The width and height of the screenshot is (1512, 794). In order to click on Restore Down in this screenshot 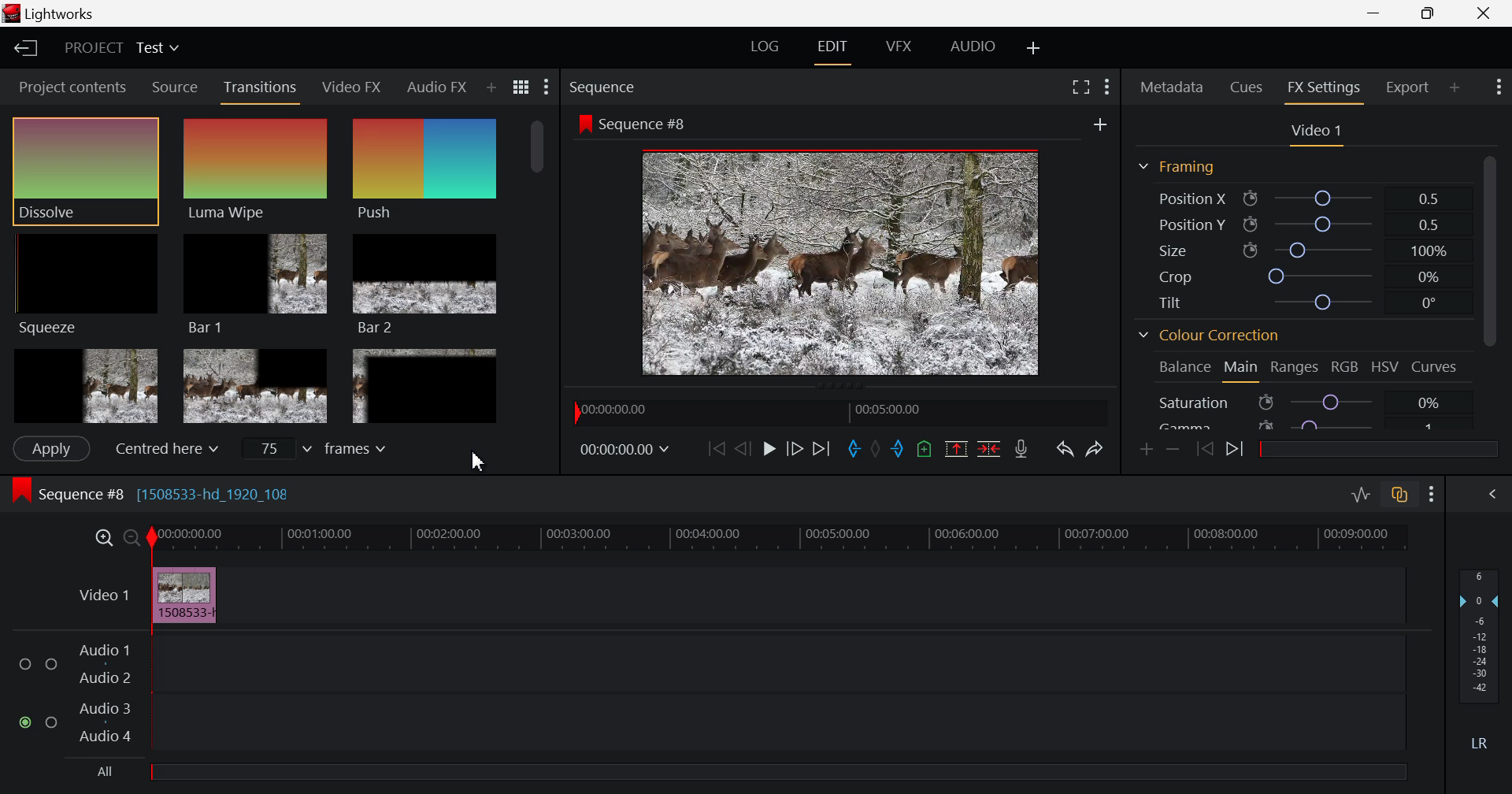, I will do `click(1377, 15)`.